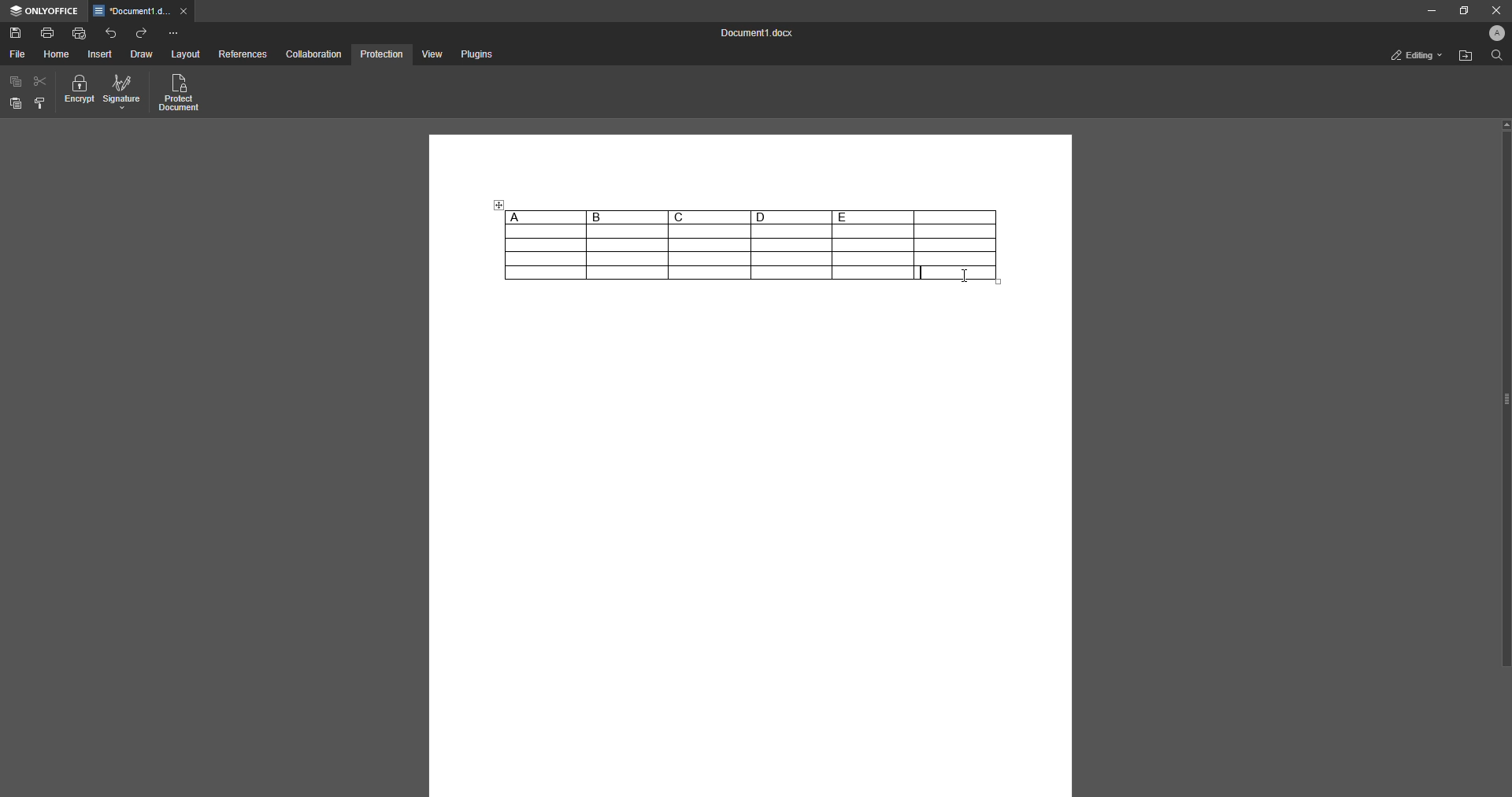  I want to click on Protection, so click(381, 54).